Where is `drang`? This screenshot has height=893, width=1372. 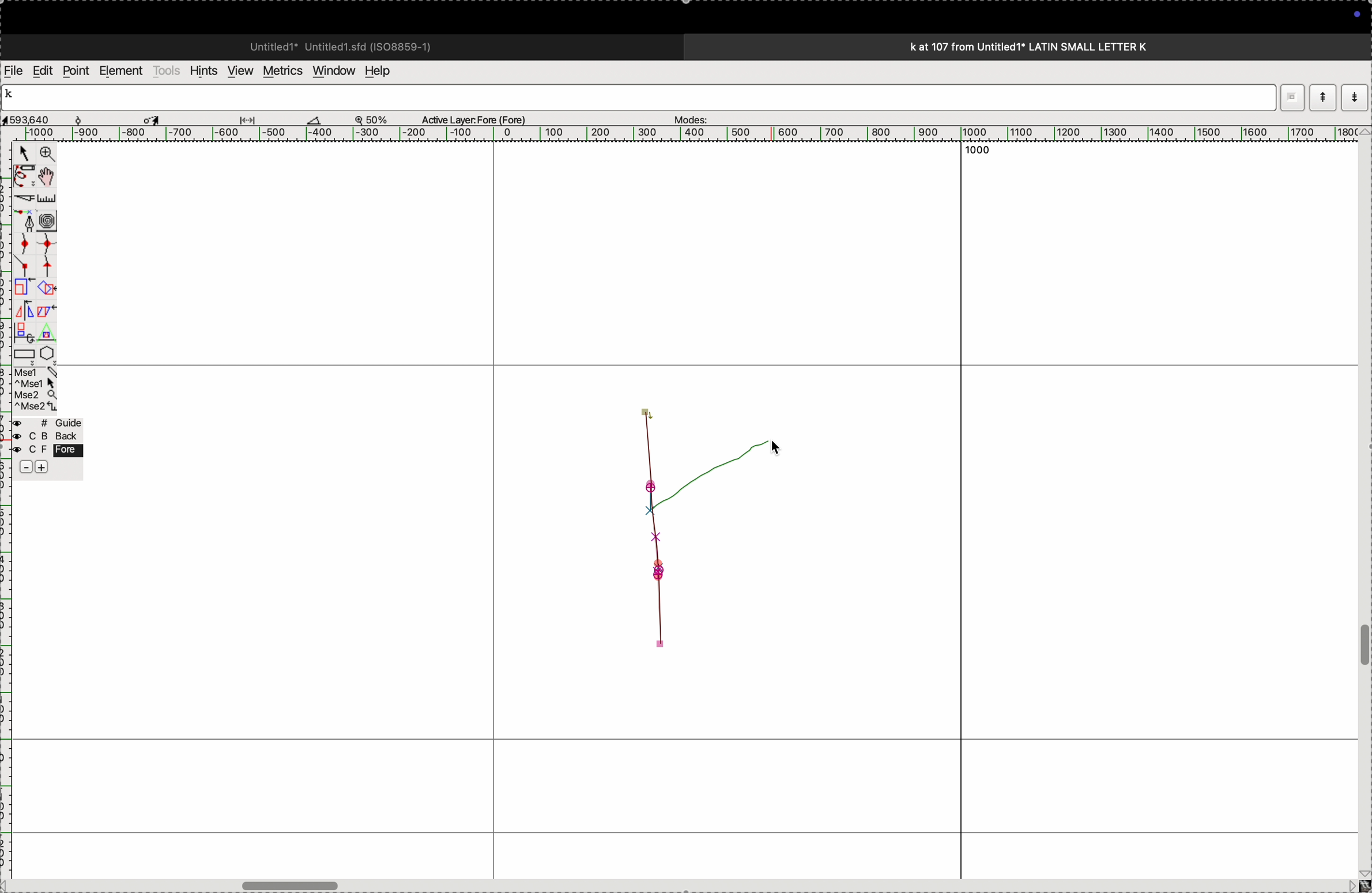 drang is located at coordinates (254, 118).